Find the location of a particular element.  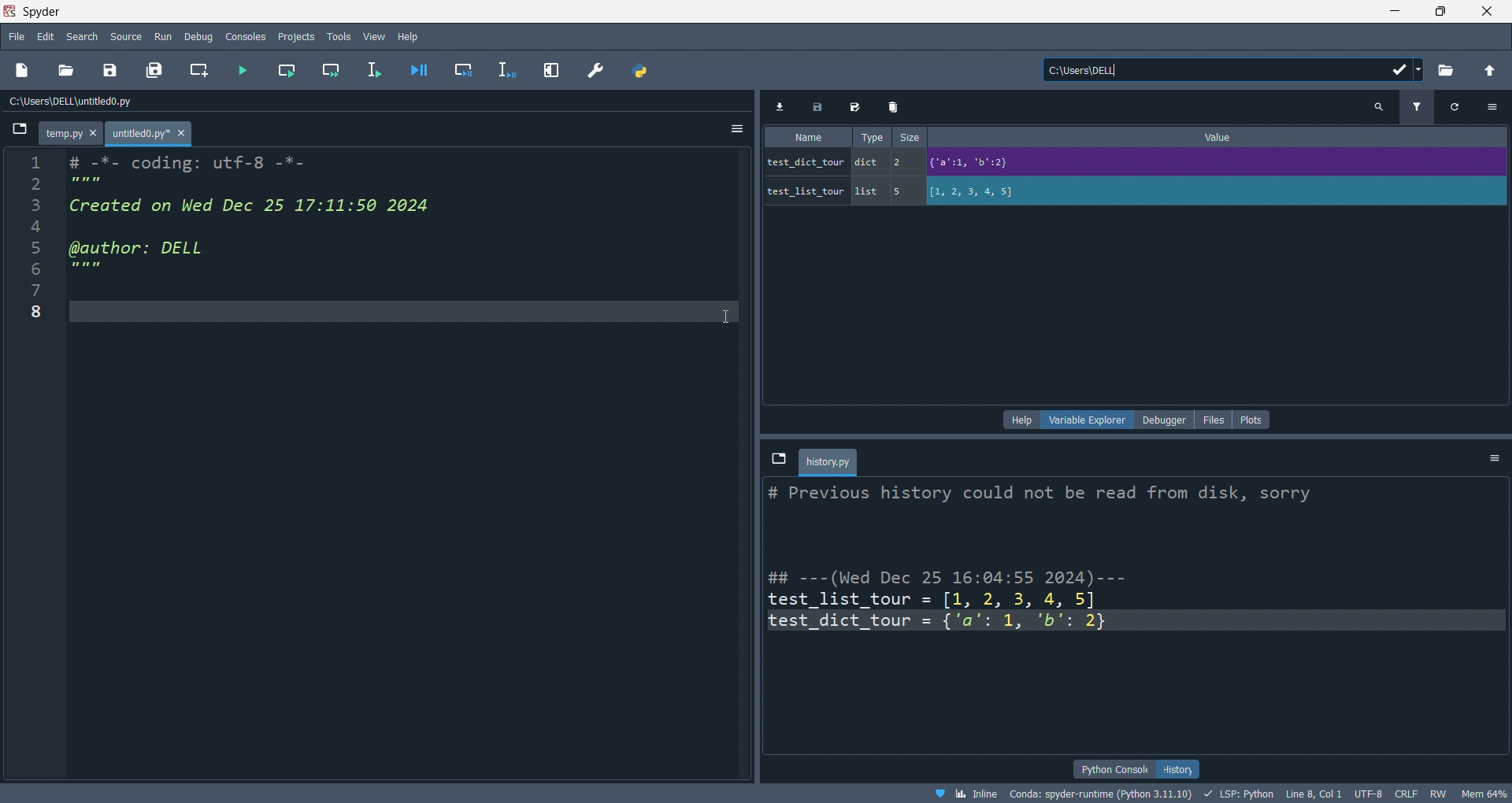

list is located at coordinates (869, 192).